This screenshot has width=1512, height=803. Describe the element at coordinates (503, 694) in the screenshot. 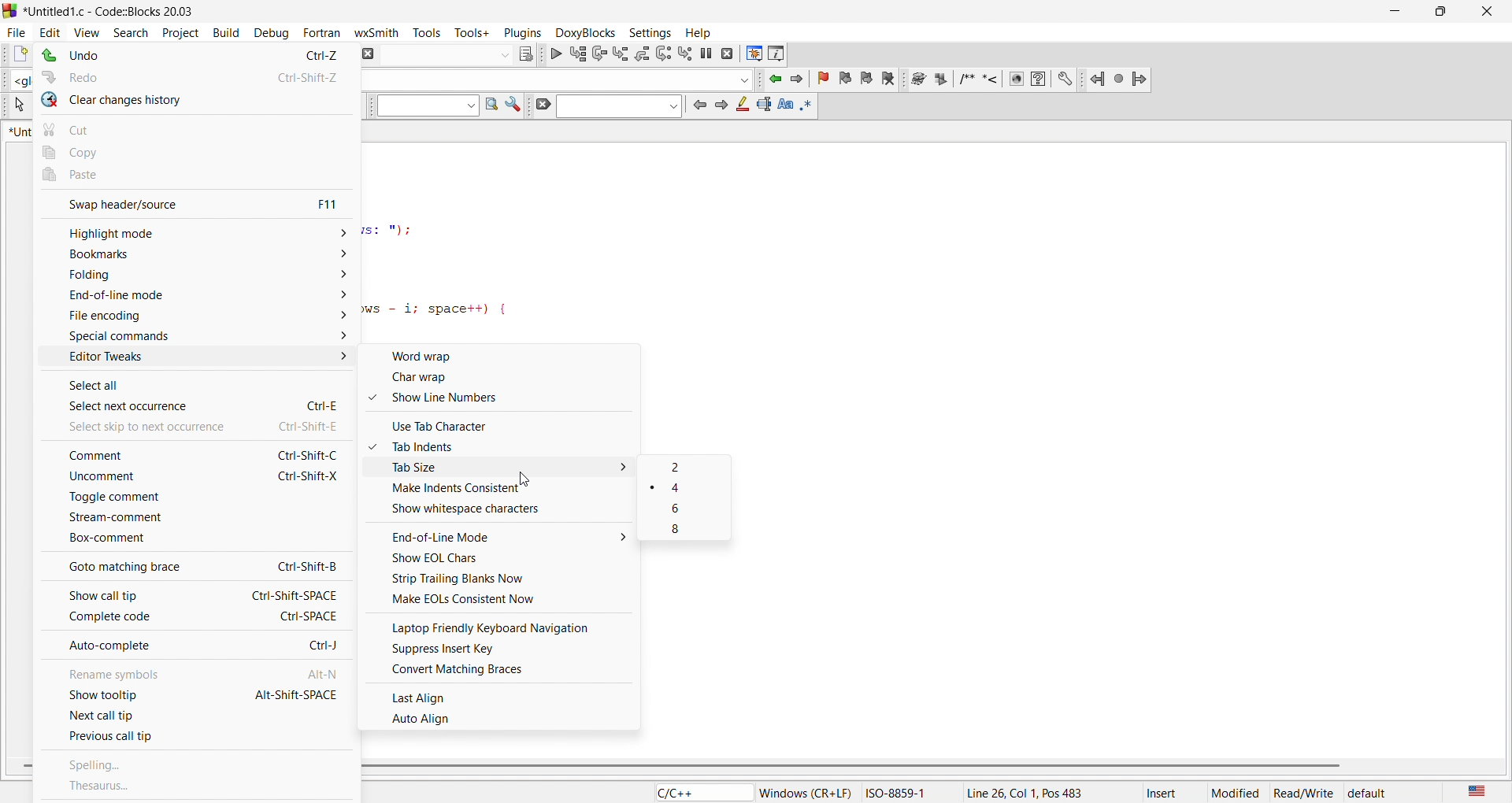

I see `last align` at that location.